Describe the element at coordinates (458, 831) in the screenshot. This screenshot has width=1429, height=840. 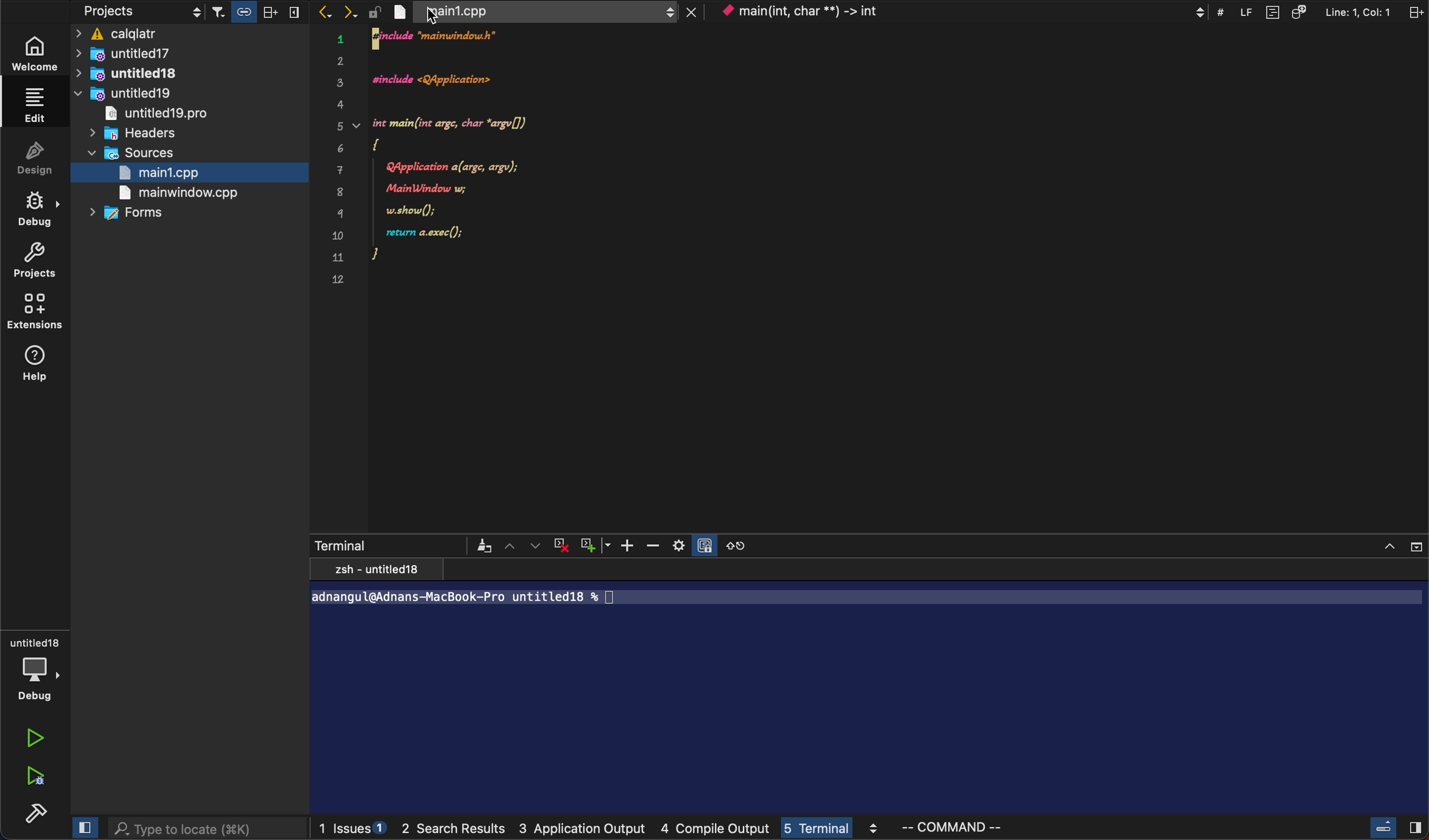
I see `search result` at that location.